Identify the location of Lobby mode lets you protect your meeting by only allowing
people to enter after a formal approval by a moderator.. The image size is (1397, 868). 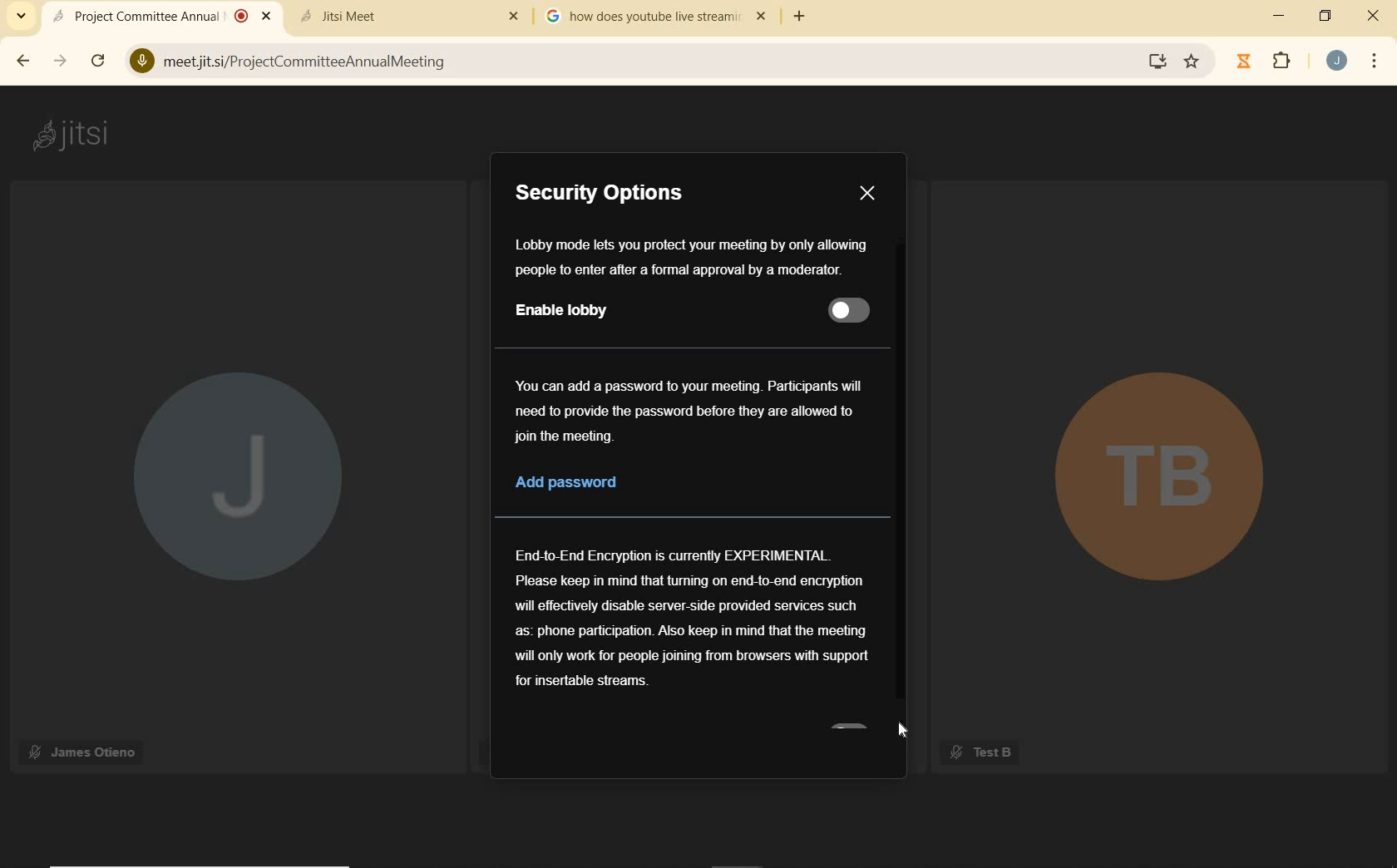
(694, 255).